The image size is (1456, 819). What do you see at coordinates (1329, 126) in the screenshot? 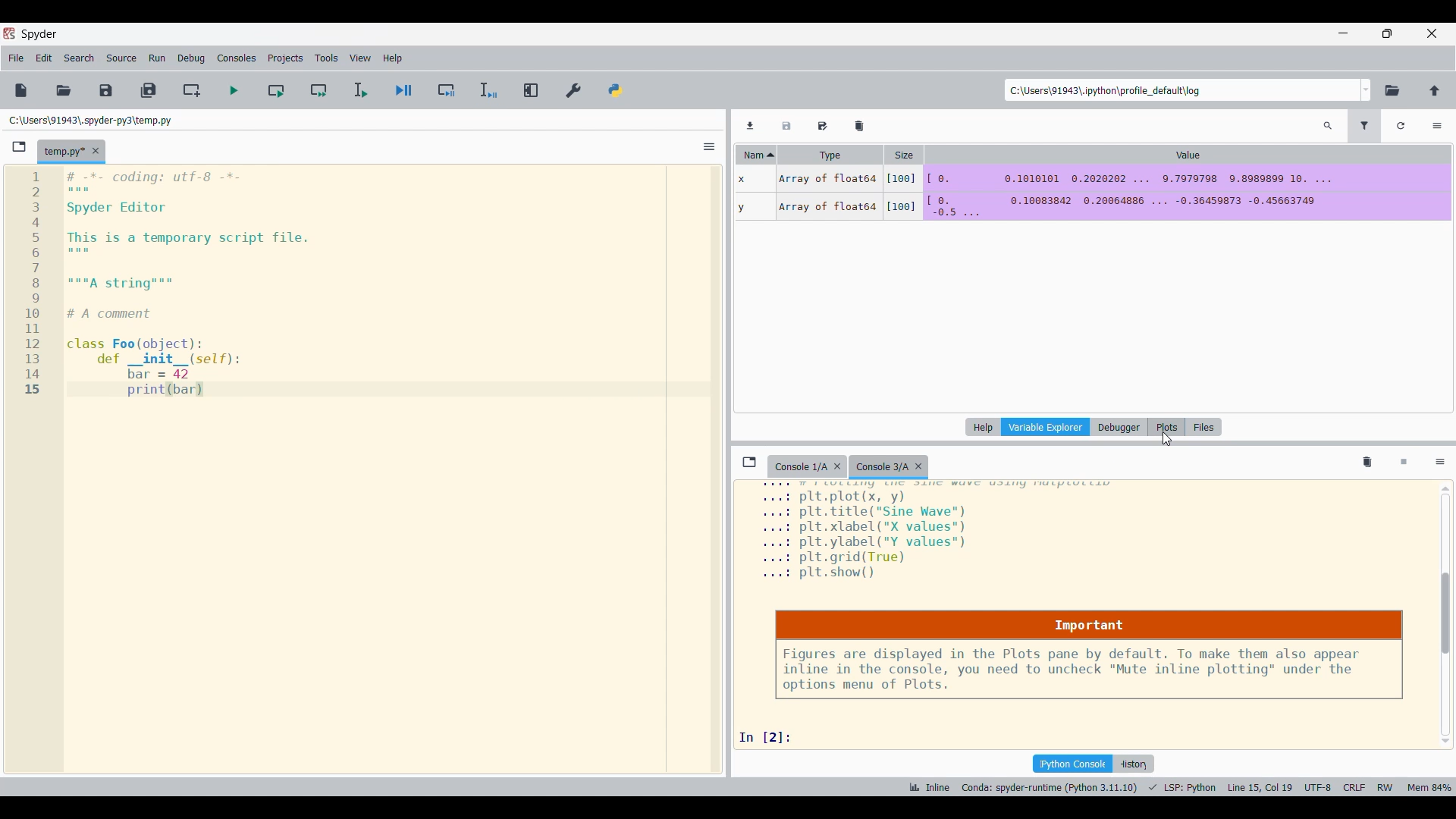
I see `Search variables by names and types` at bounding box center [1329, 126].